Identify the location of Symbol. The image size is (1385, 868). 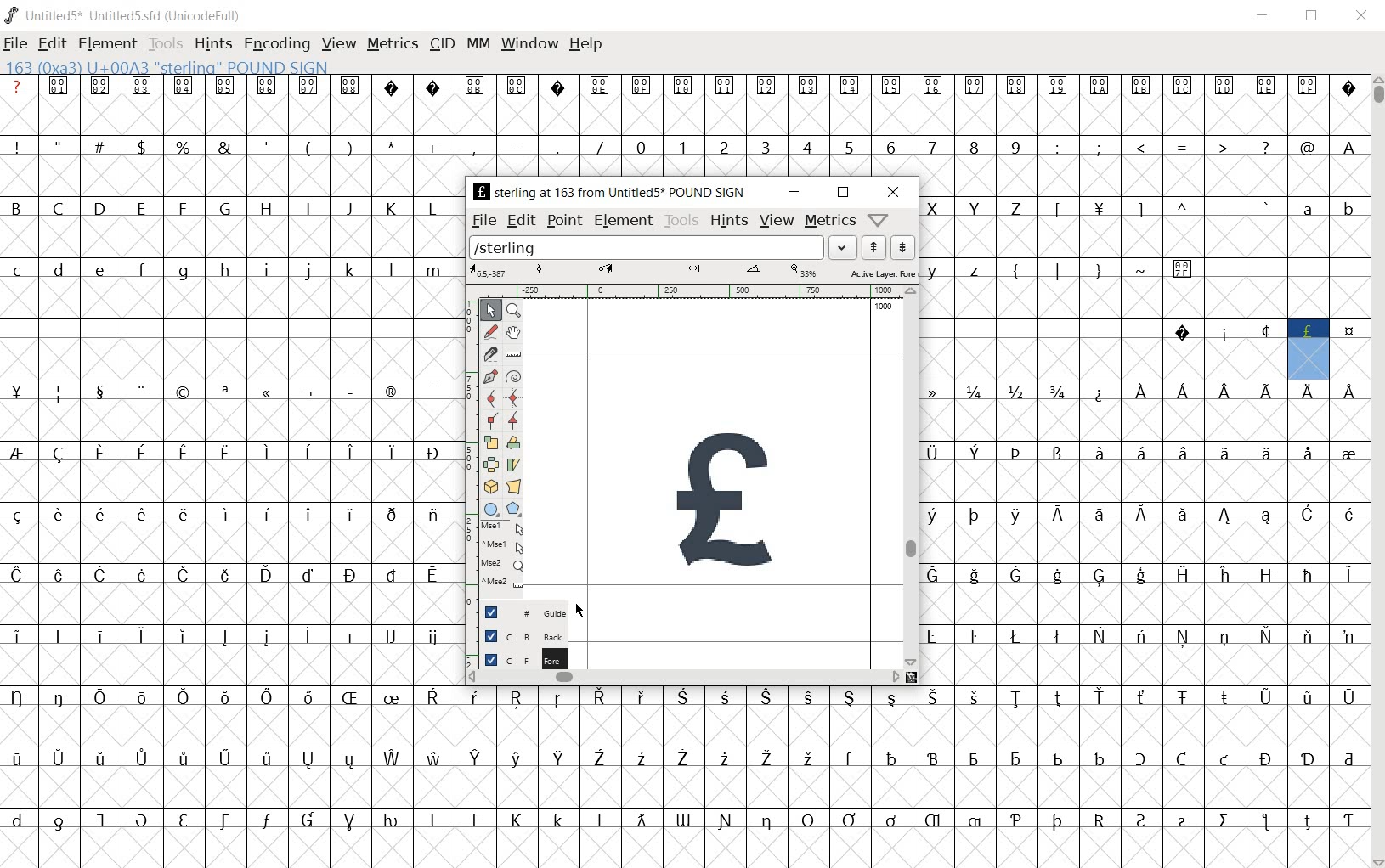
(59, 573).